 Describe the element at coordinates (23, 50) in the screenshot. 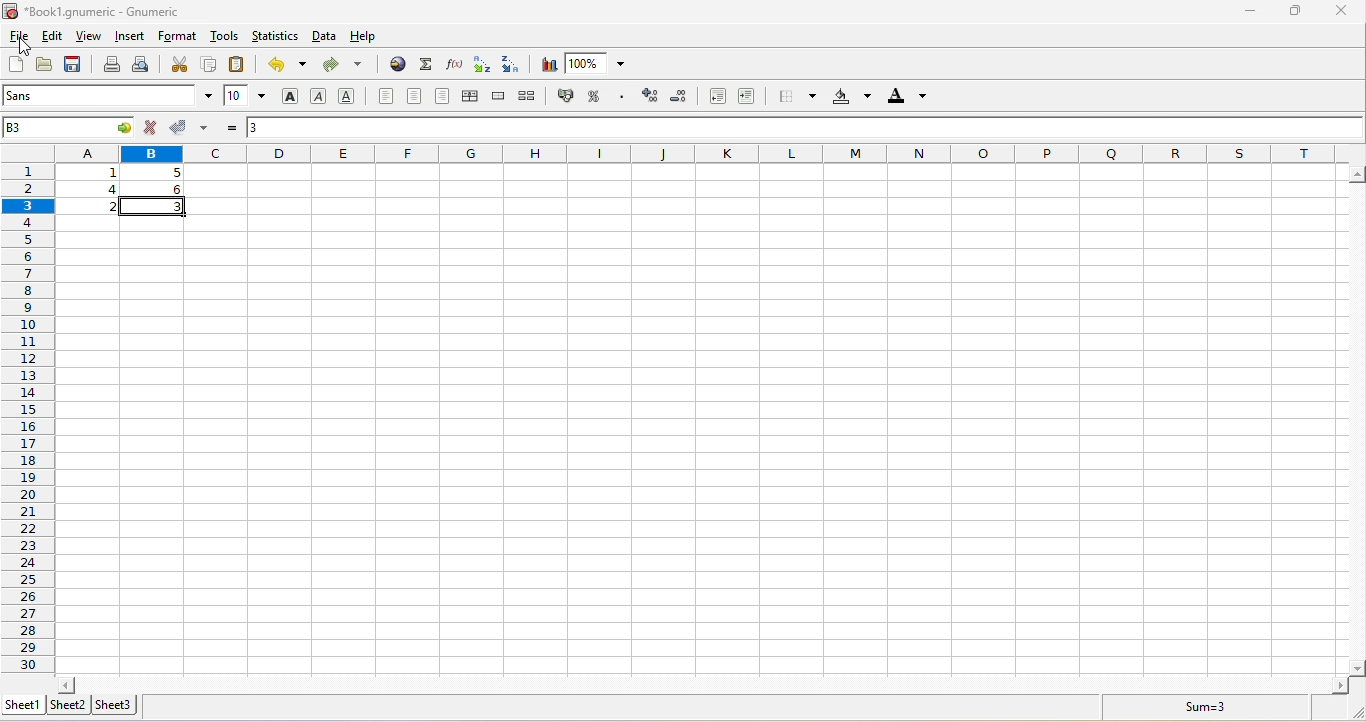

I see `cursor` at that location.